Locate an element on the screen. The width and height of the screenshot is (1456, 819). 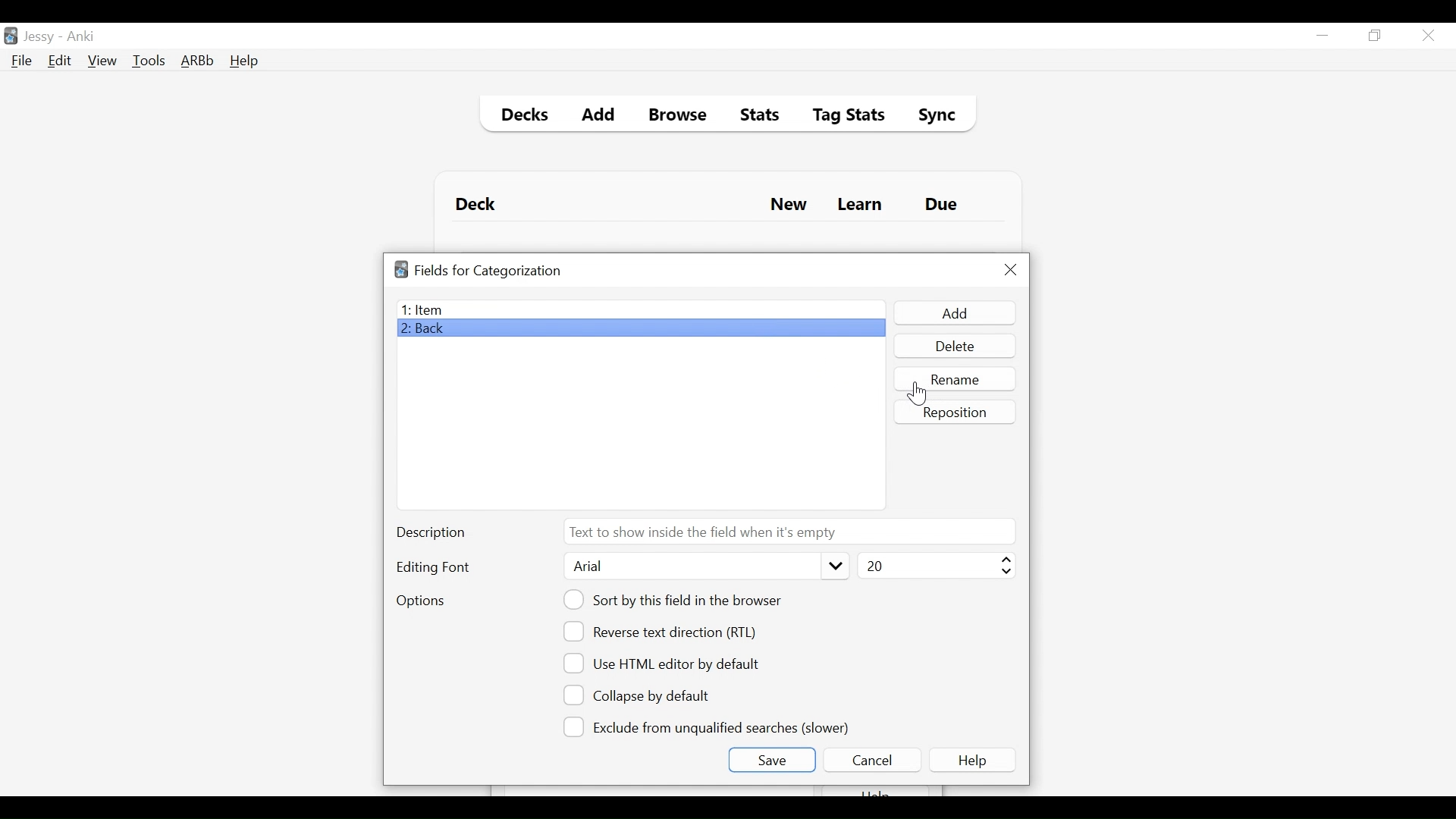
View is located at coordinates (103, 61).